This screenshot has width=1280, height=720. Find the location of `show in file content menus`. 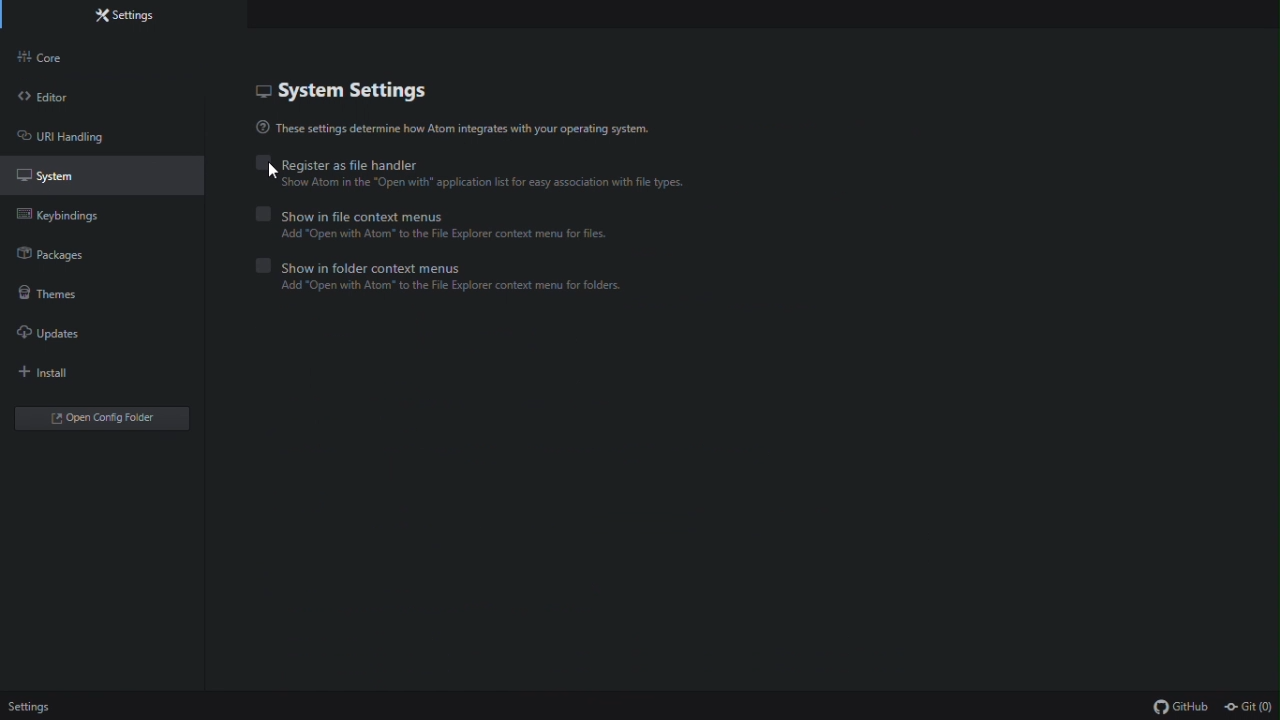

show in file content menus is located at coordinates (442, 214).